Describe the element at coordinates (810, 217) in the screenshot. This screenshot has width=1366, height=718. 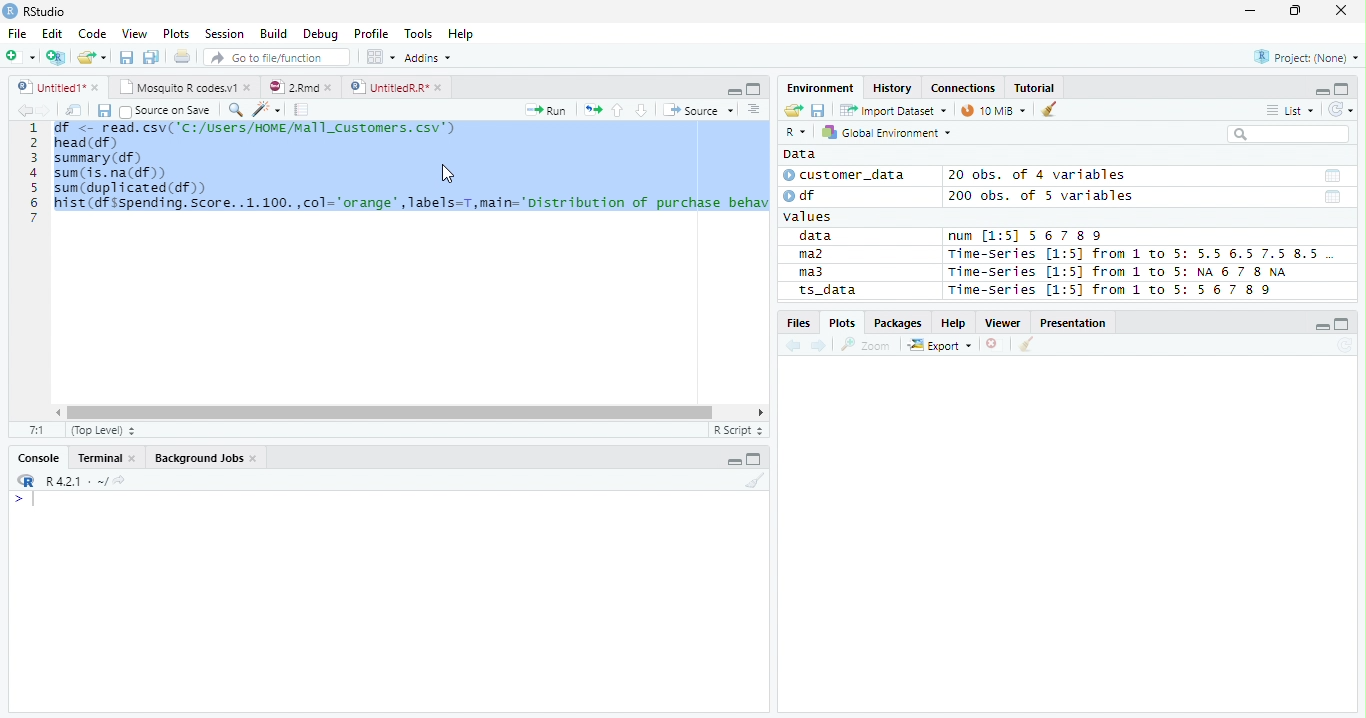
I see `values` at that location.